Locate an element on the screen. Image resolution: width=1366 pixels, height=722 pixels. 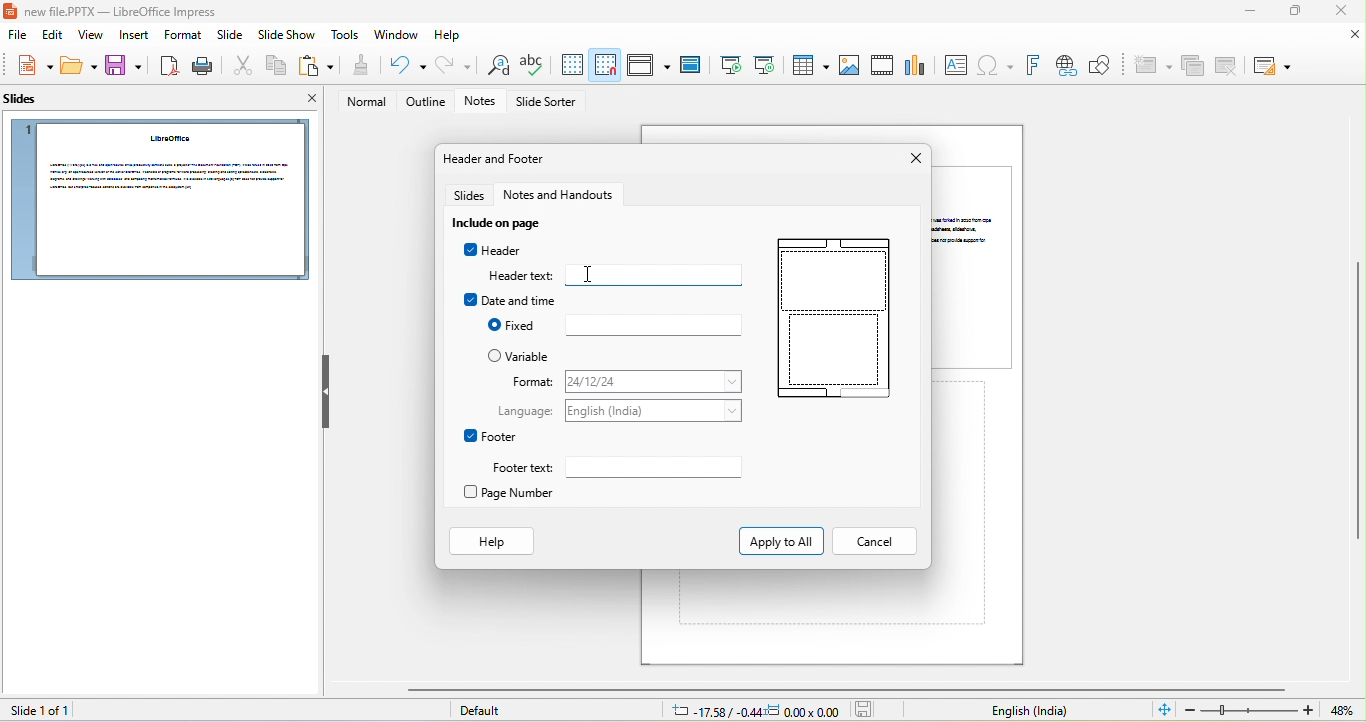
Apply to All is located at coordinates (779, 540).